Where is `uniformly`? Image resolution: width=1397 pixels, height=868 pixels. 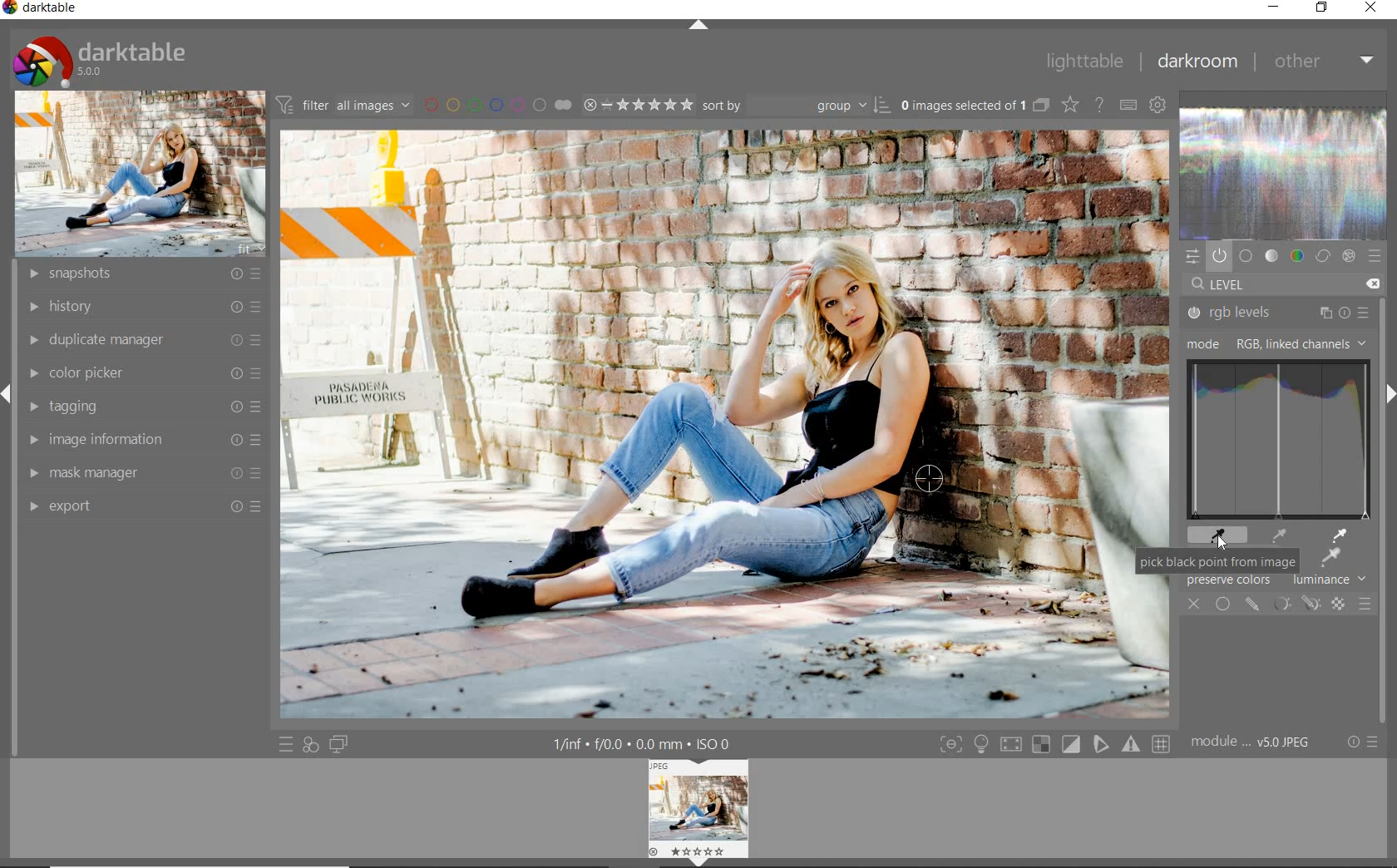 uniformly is located at coordinates (1223, 604).